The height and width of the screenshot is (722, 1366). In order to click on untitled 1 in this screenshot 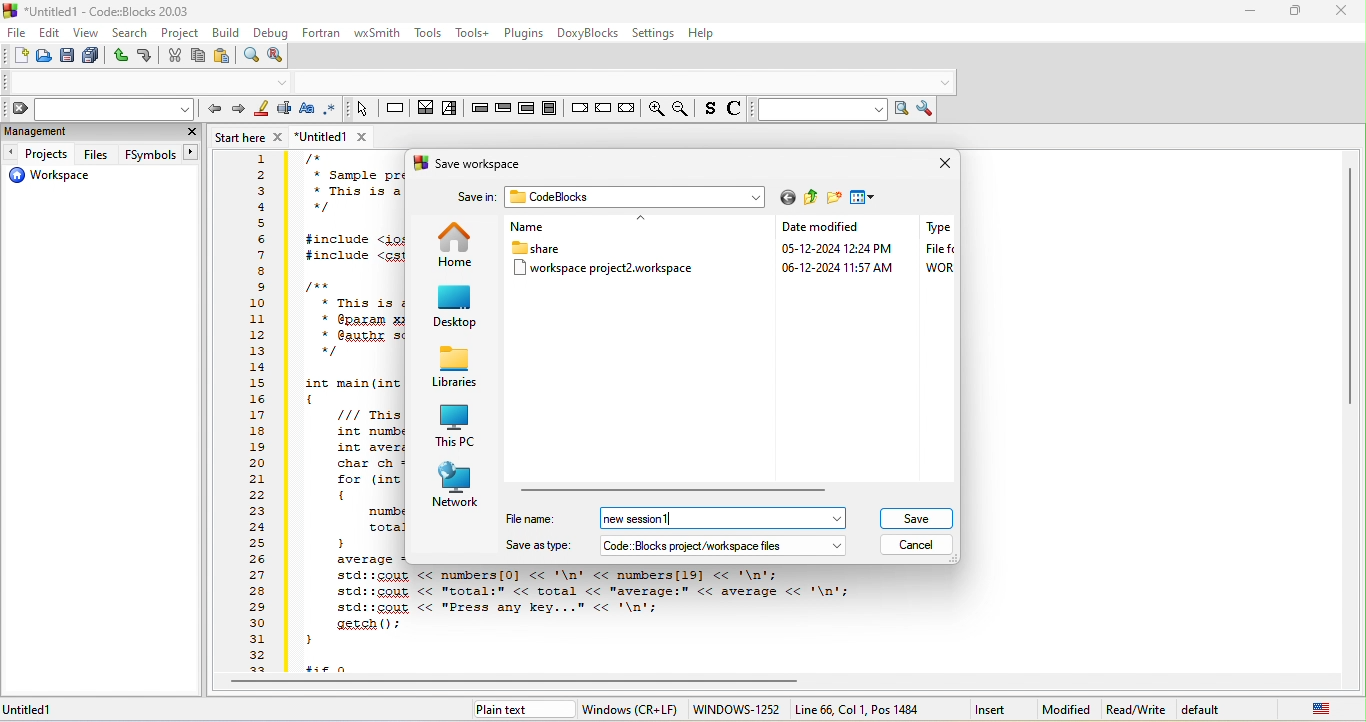, I will do `click(339, 137)`.